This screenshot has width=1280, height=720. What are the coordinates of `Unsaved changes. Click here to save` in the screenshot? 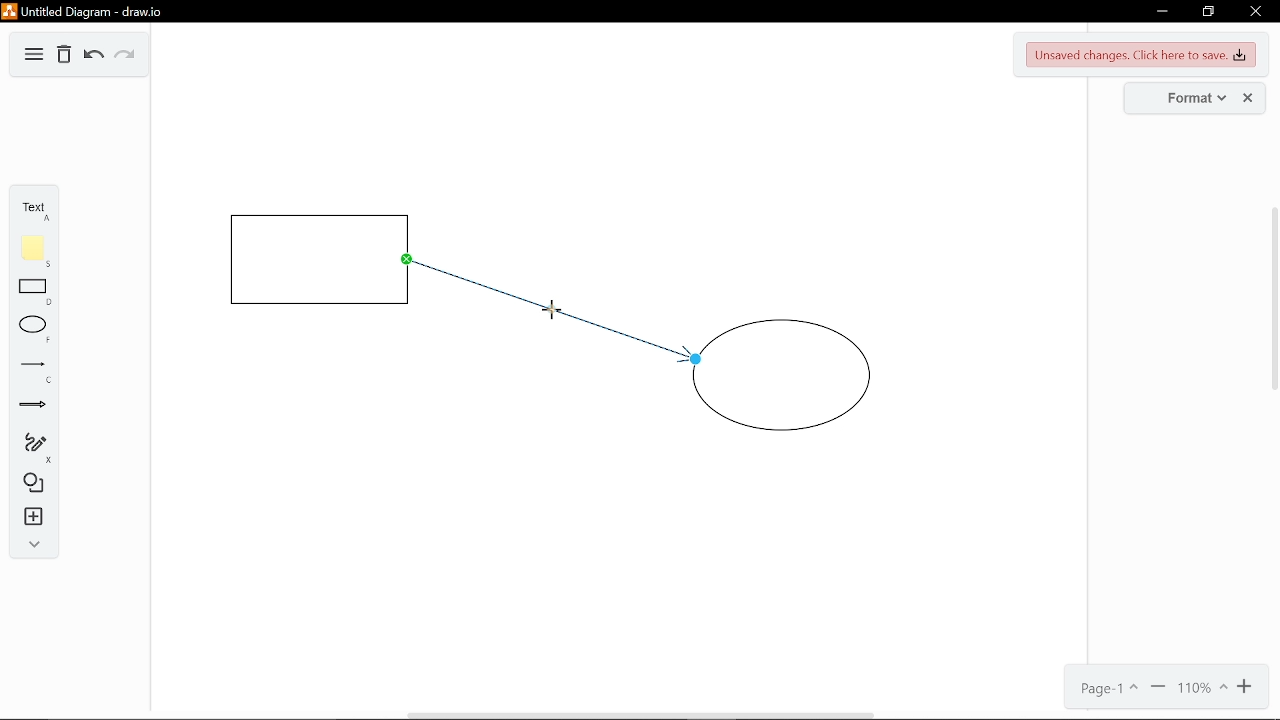 It's located at (1139, 54).